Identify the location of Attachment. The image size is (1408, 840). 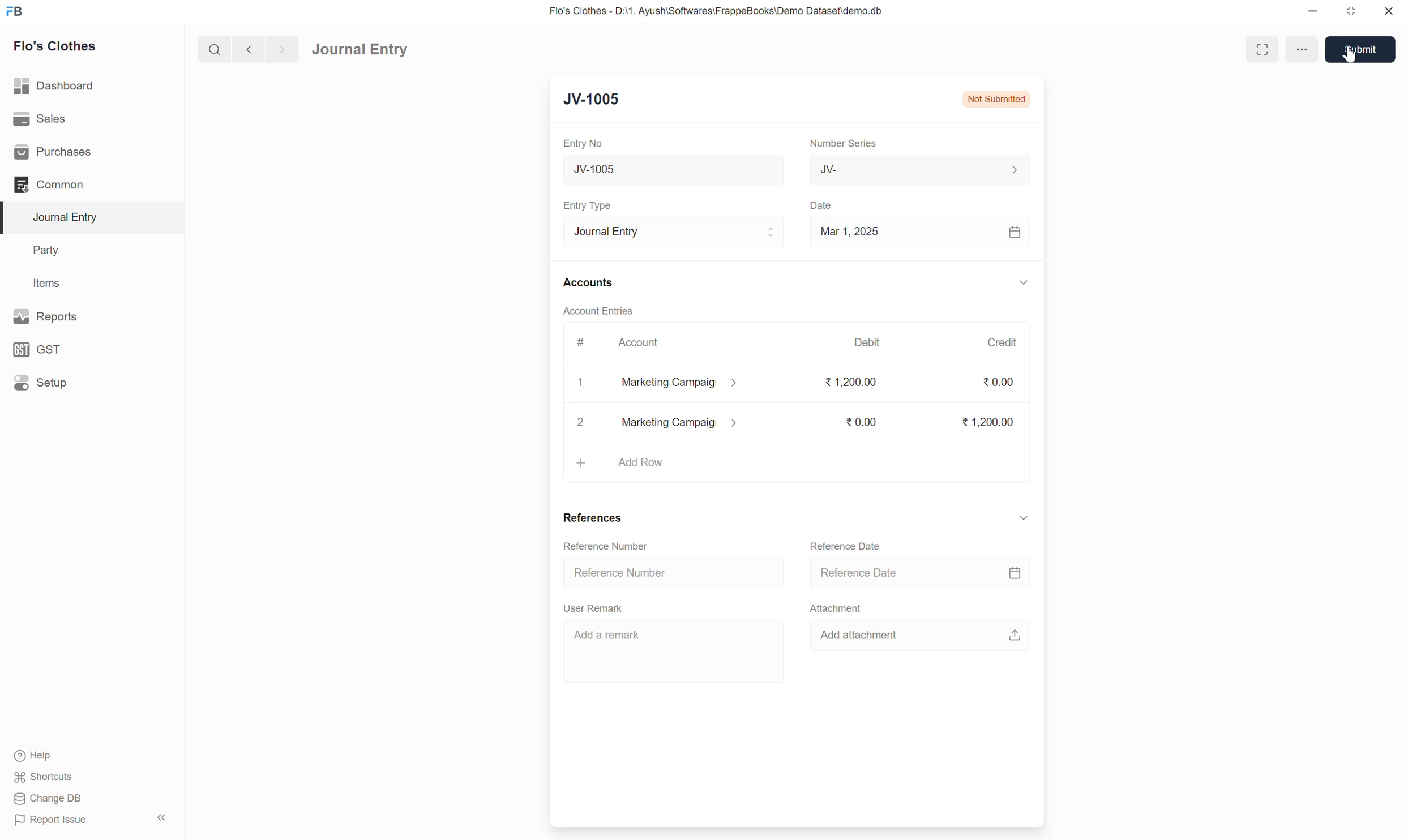
(839, 610).